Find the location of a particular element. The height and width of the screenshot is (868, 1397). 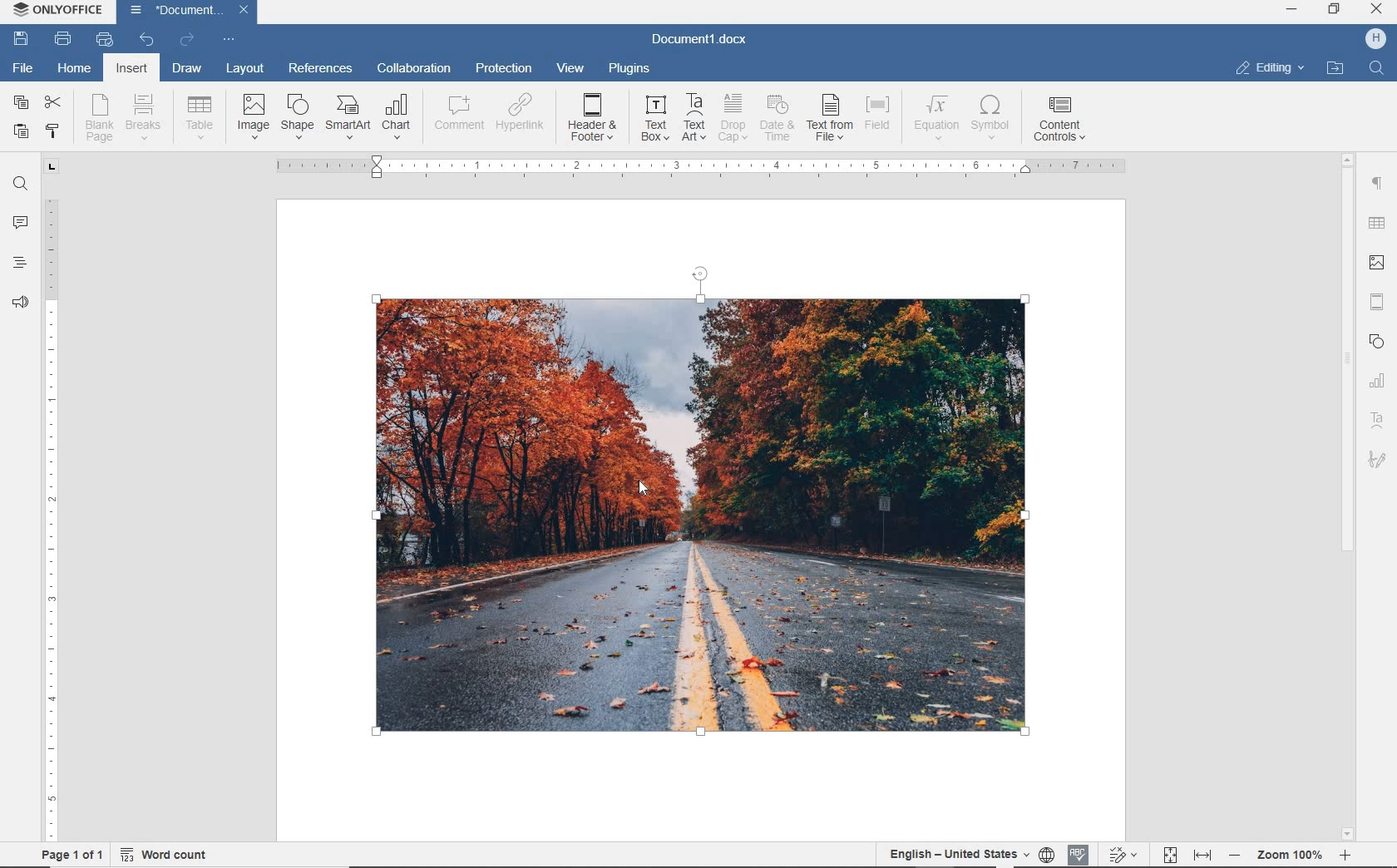

copy style is located at coordinates (54, 131).